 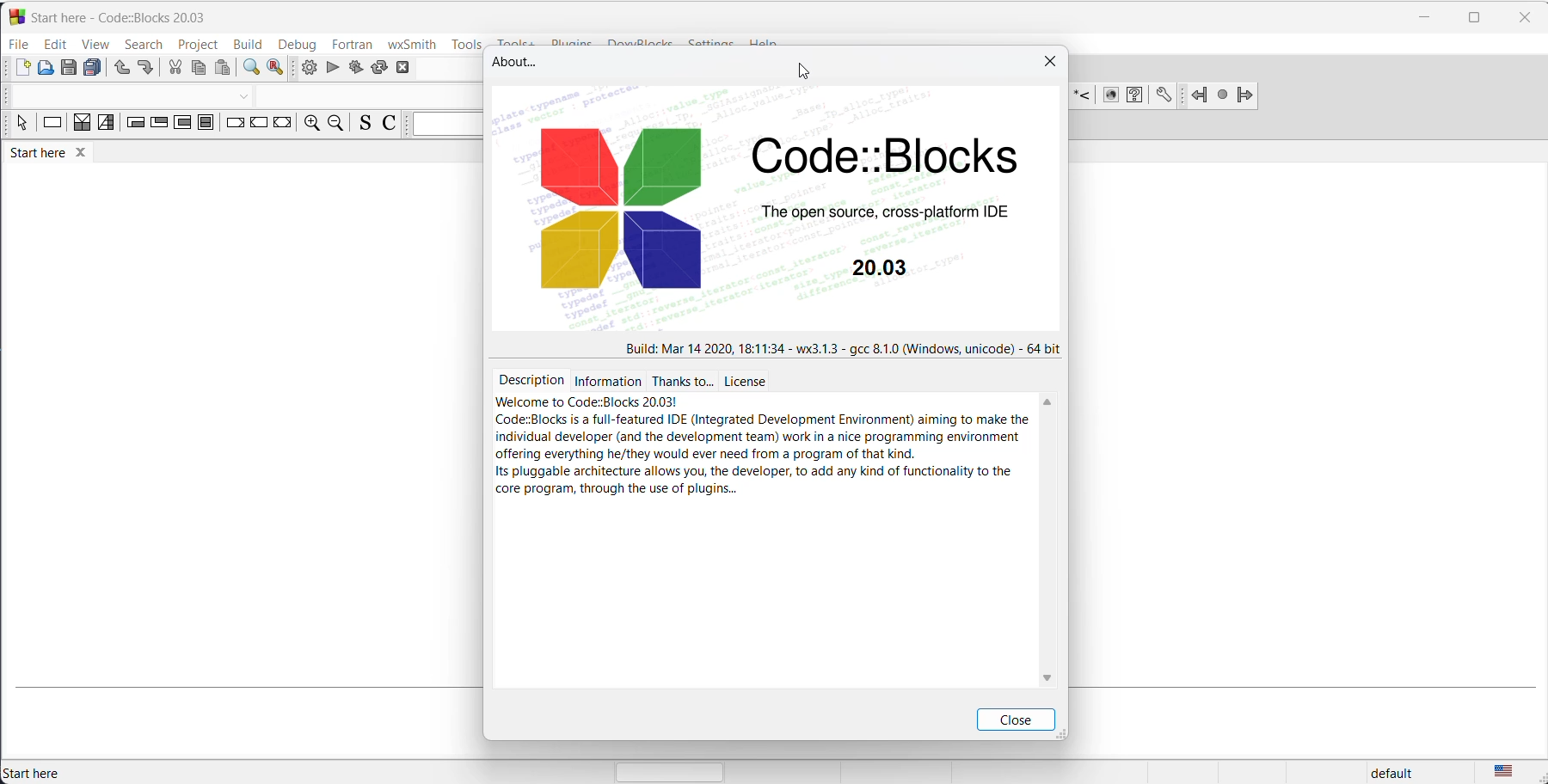 What do you see at coordinates (473, 43) in the screenshot?
I see `tools` at bounding box center [473, 43].